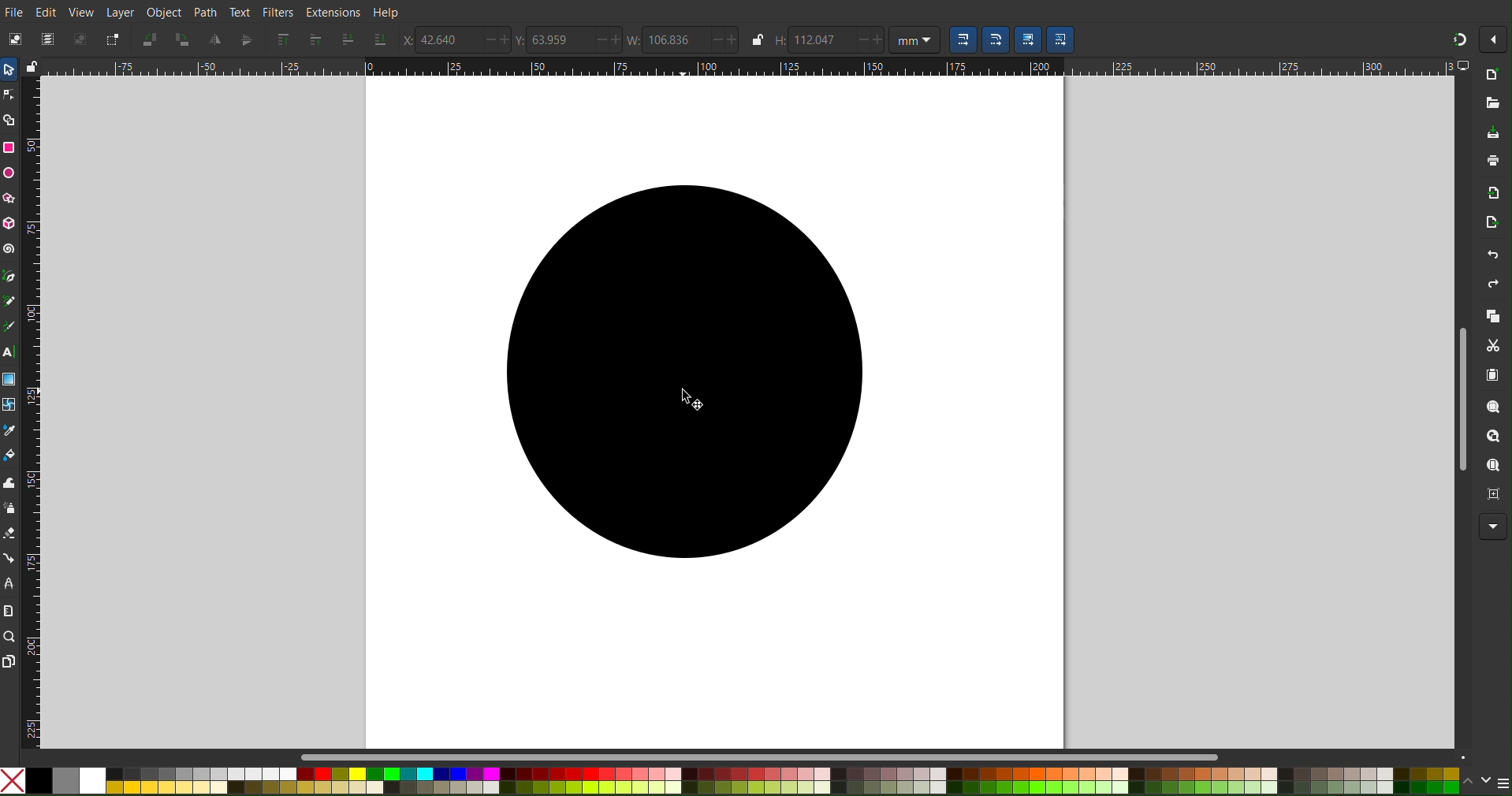 This screenshot has width=1512, height=796. Describe the element at coordinates (9, 612) in the screenshot. I see `Measure Tool` at that location.